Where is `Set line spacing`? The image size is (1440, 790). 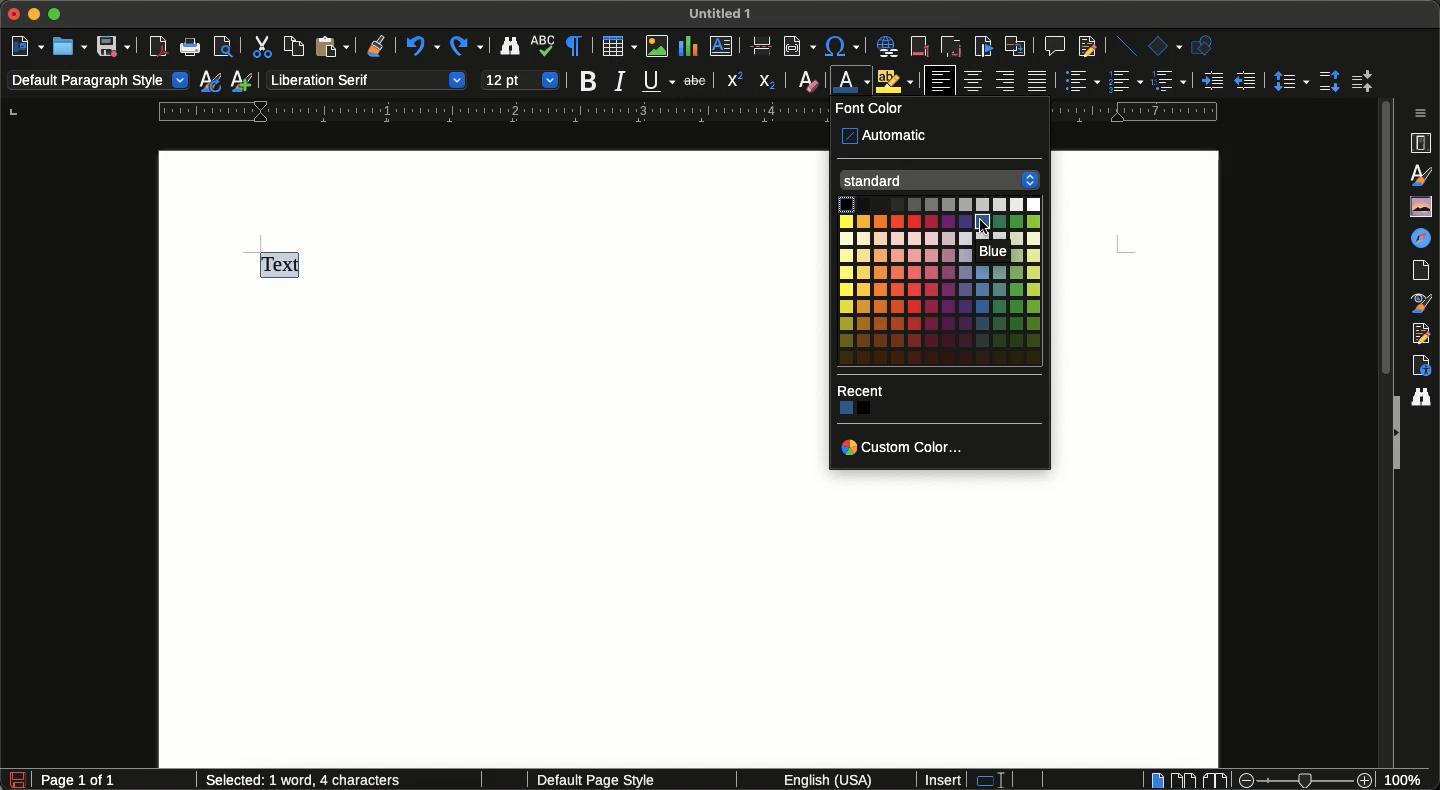 Set line spacing is located at coordinates (1289, 80).